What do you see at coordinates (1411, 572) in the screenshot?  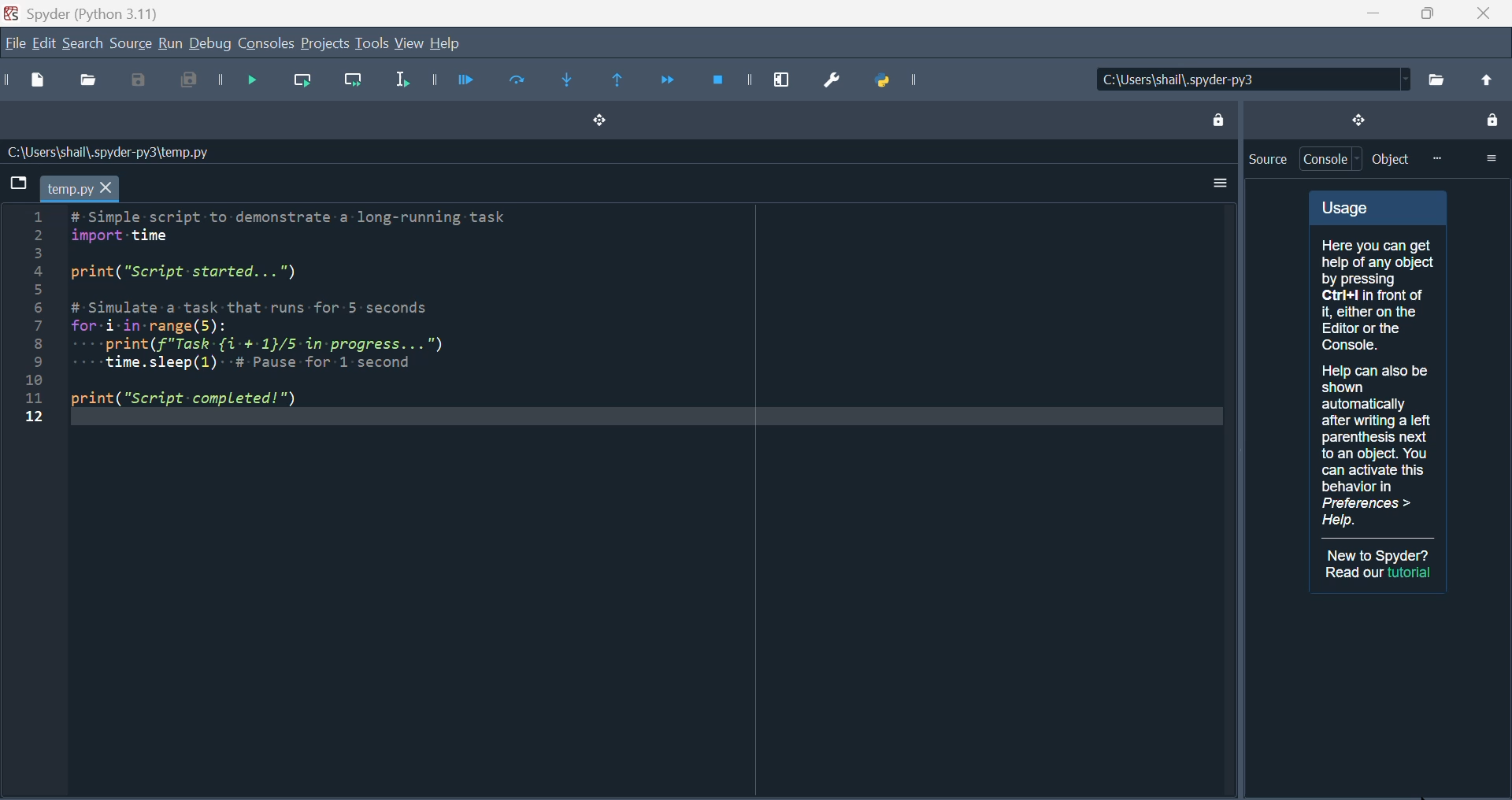 I see `tutorial` at bounding box center [1411, 572].